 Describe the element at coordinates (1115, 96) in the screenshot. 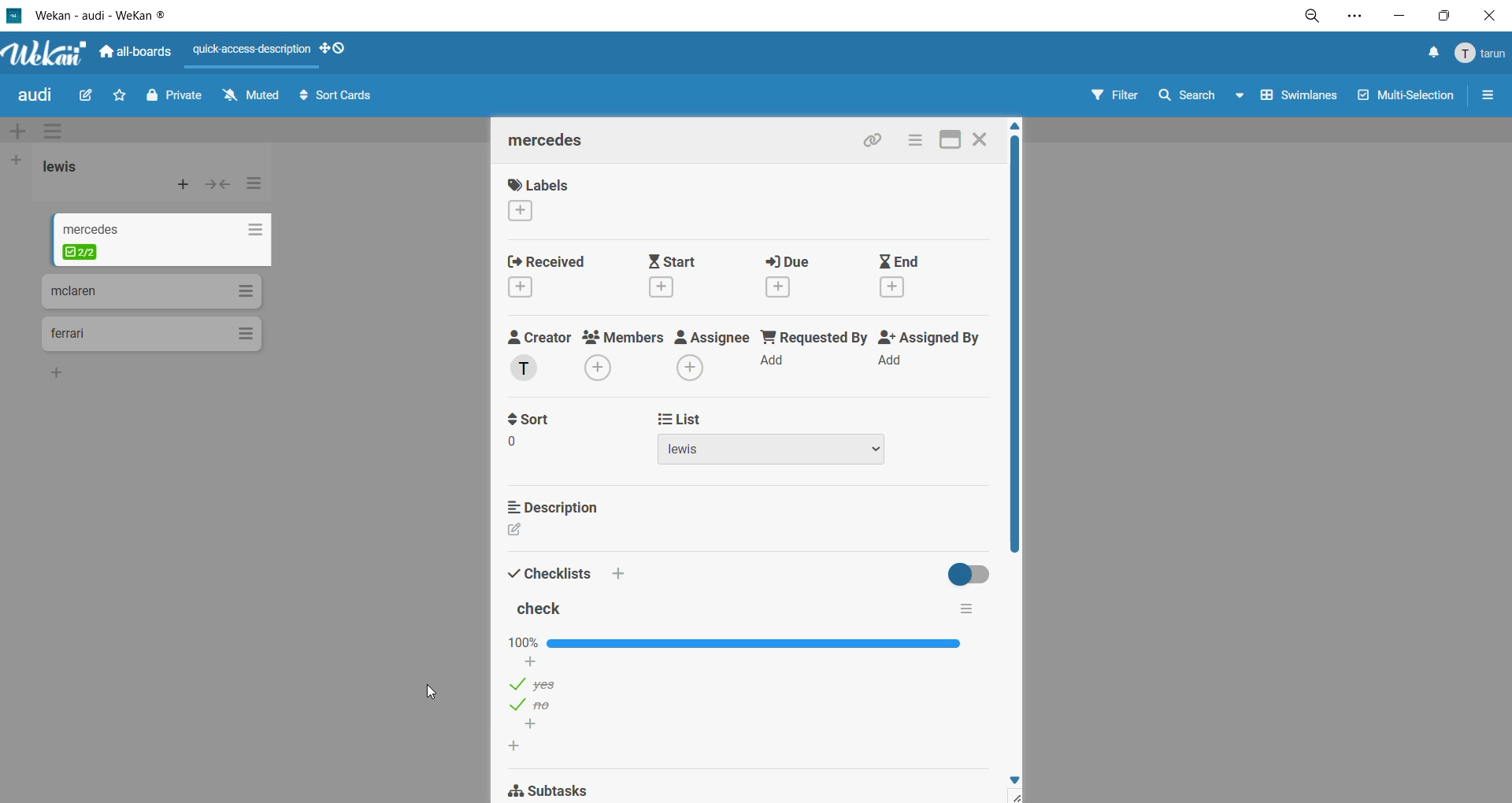

I see `filter` at that location.